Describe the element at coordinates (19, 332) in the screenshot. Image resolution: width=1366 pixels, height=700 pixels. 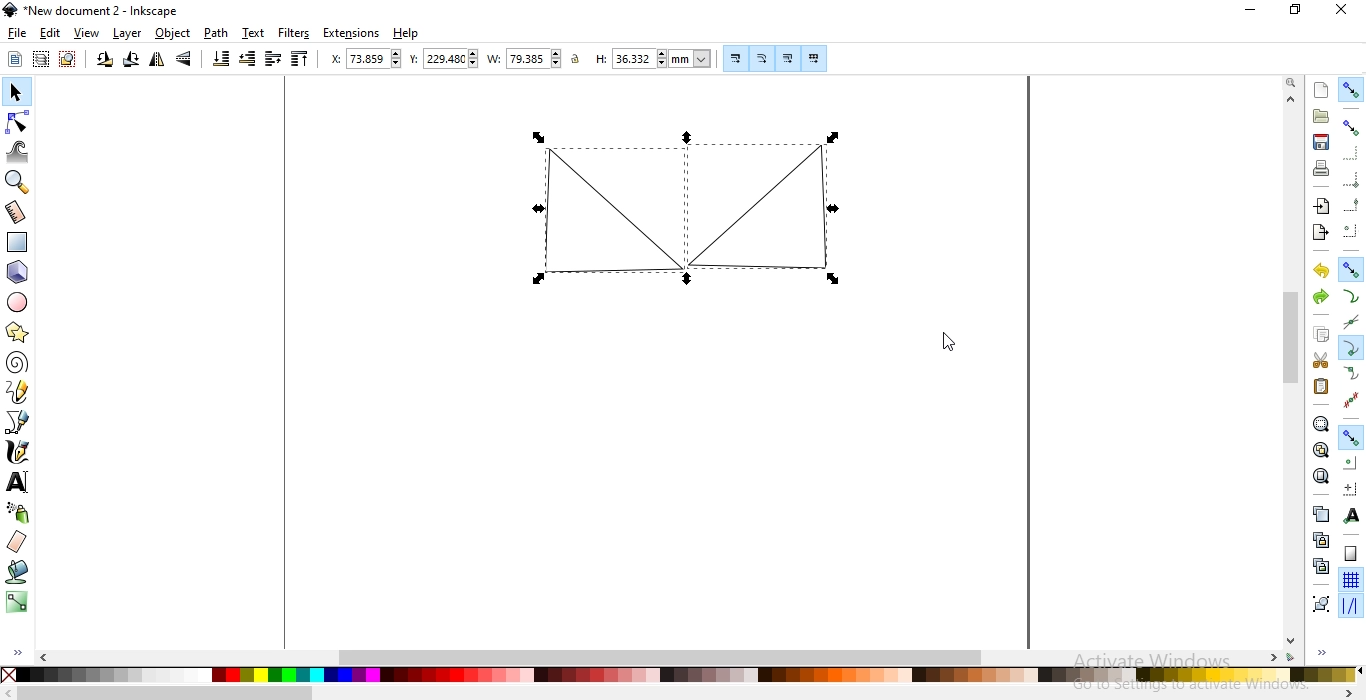
I see `create stars and polygons` at that location.